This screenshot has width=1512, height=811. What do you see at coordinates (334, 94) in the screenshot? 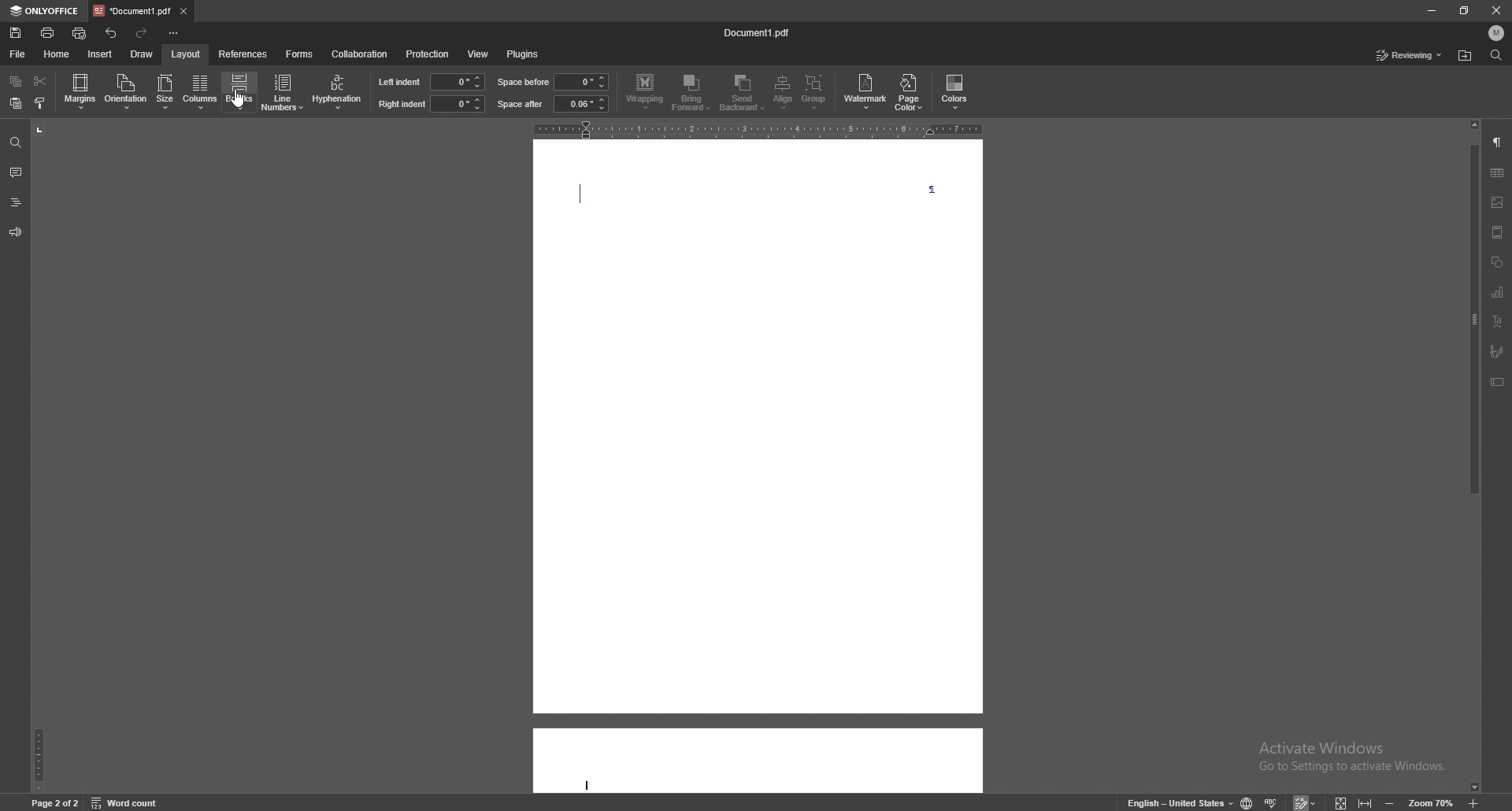
I see `Hyphenation` at bounding box center [334, 94].